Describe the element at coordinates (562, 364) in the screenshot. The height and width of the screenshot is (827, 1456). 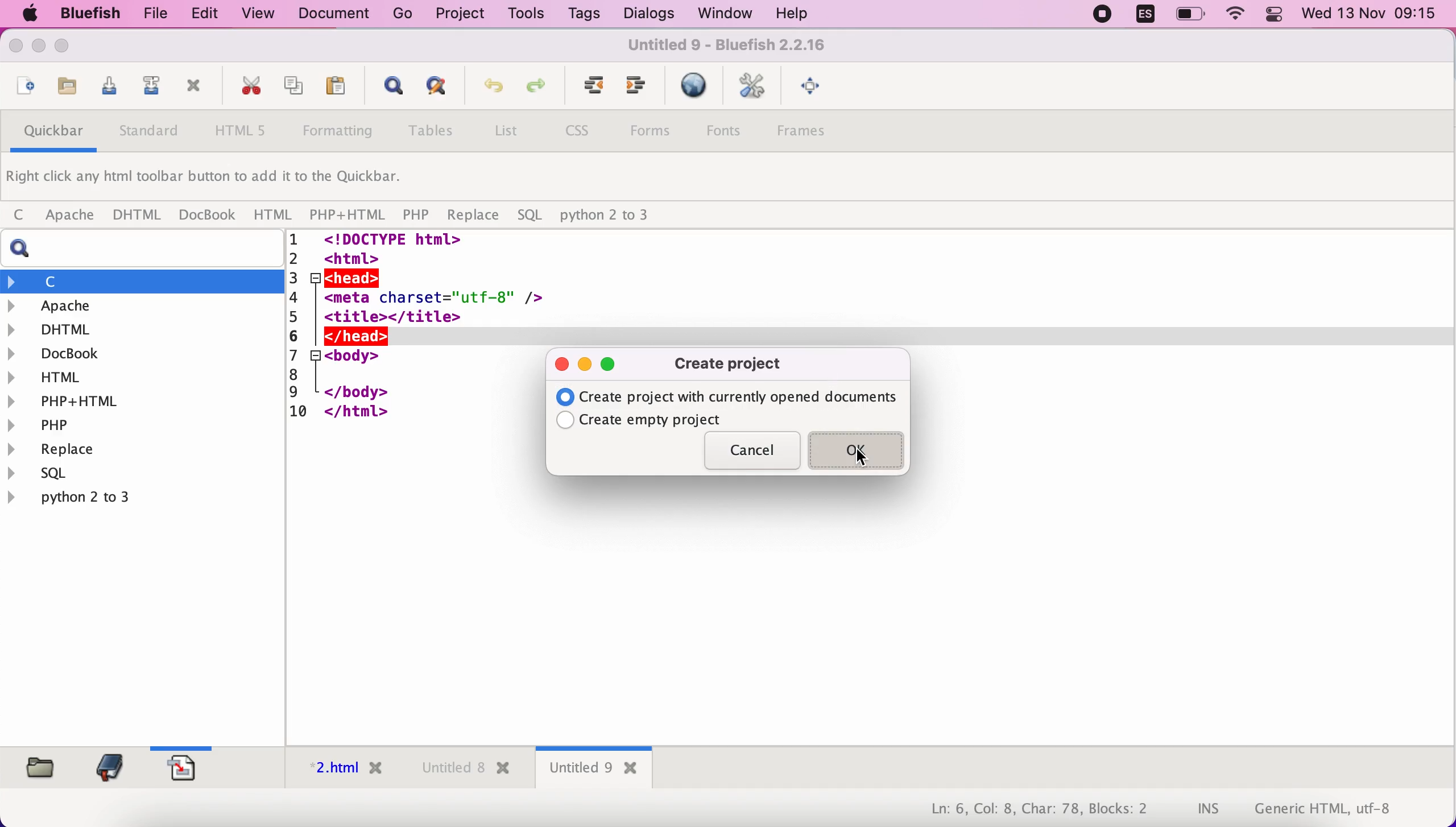
I see `close` at that location.